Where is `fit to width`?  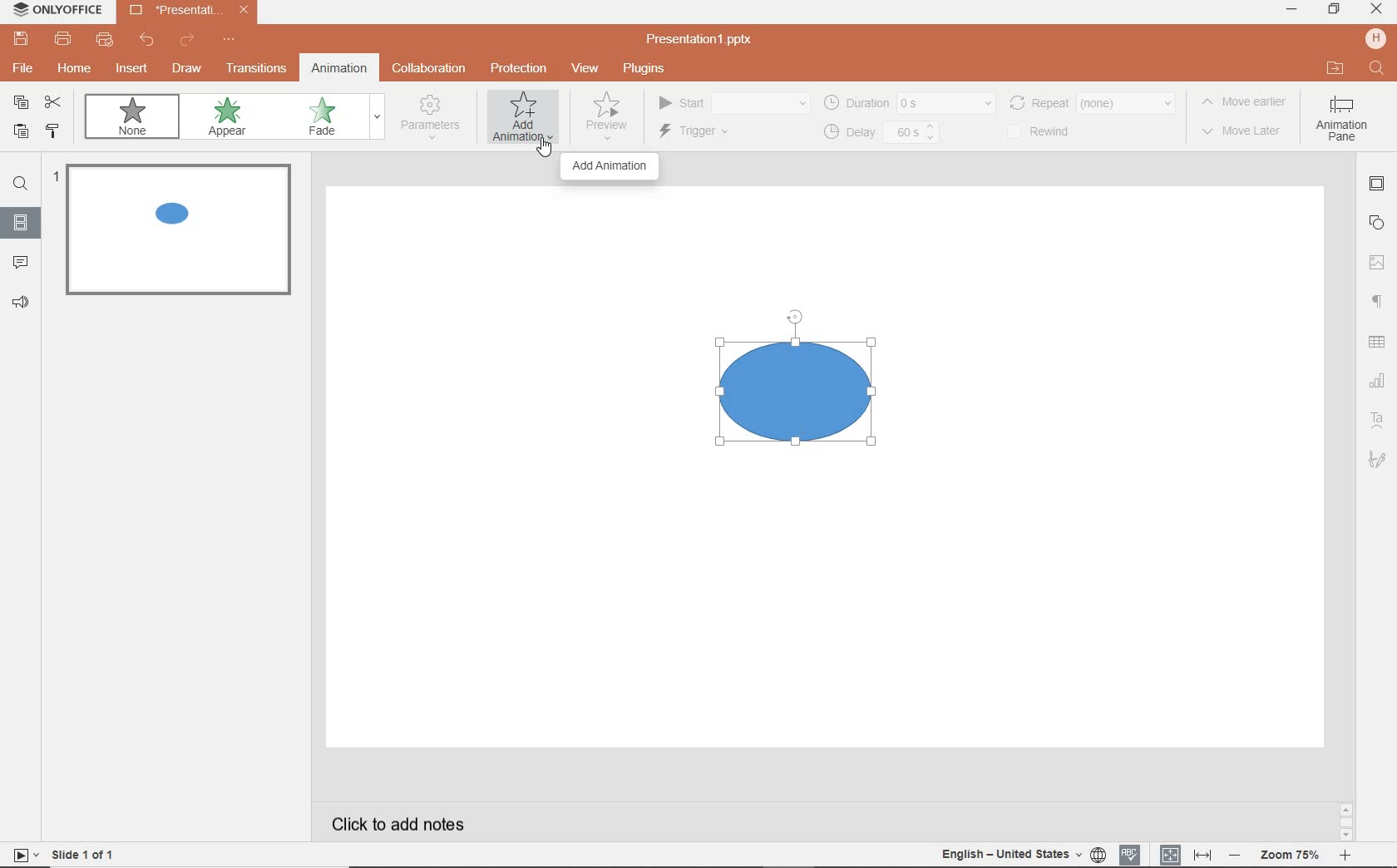 fit to width is located at coordinates (1204, 853).